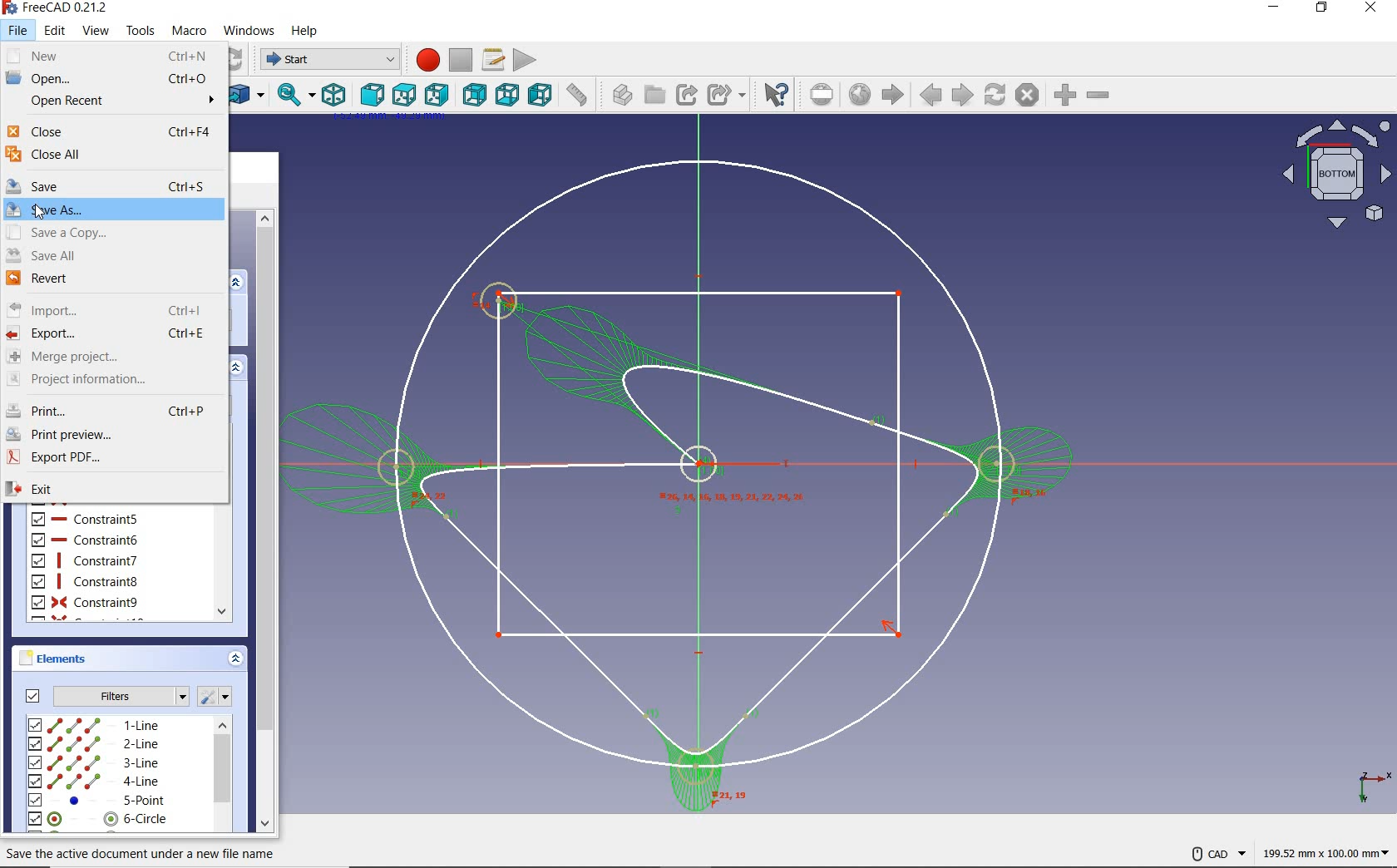 This screenshot has height=868, width=1397. What do you see at coordinates (372, 94) in the screenshot?
I see `front` at bounding box center [372, 94].